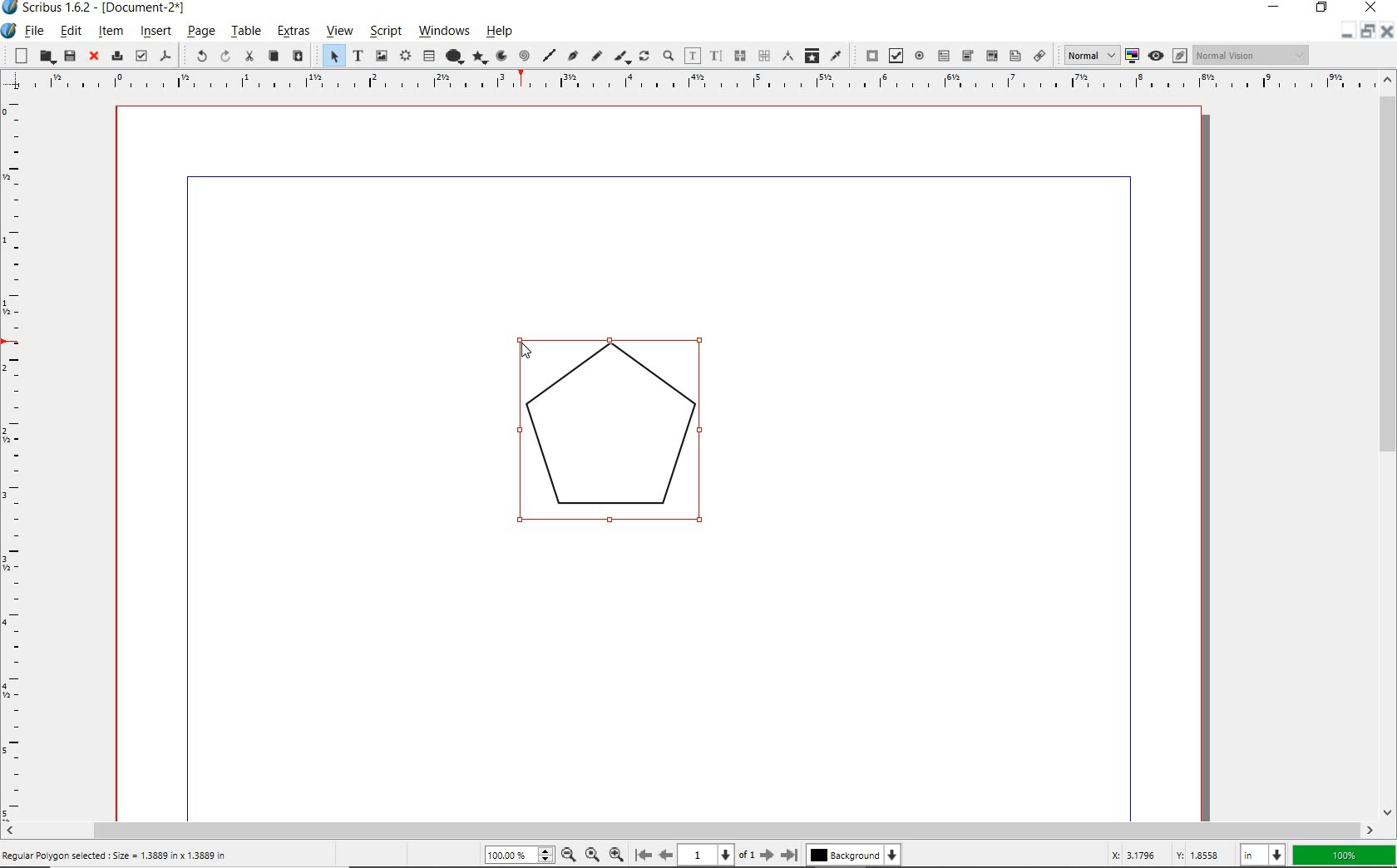 The height and width of the screenshot is (868, 1397). What do you see at coordinates (521, 854) in the screenshot?
I see `100%` at bounding box center [521, 854].